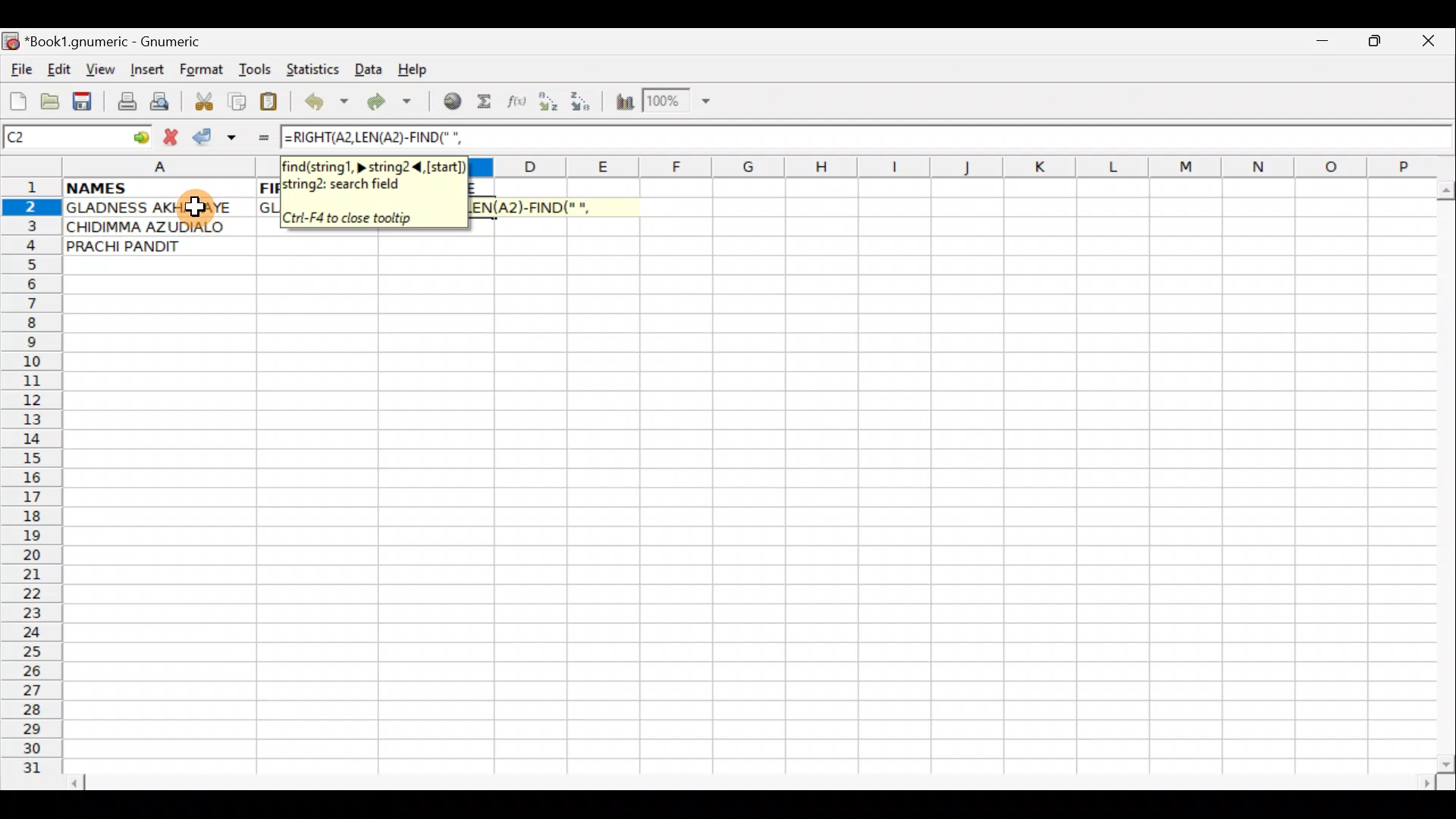 This screenshot has width=1456, height=819. What do you see at coordinates (86, 102) in the screenshot?
I see `Save current workbook` at bounding box center [86, 102].